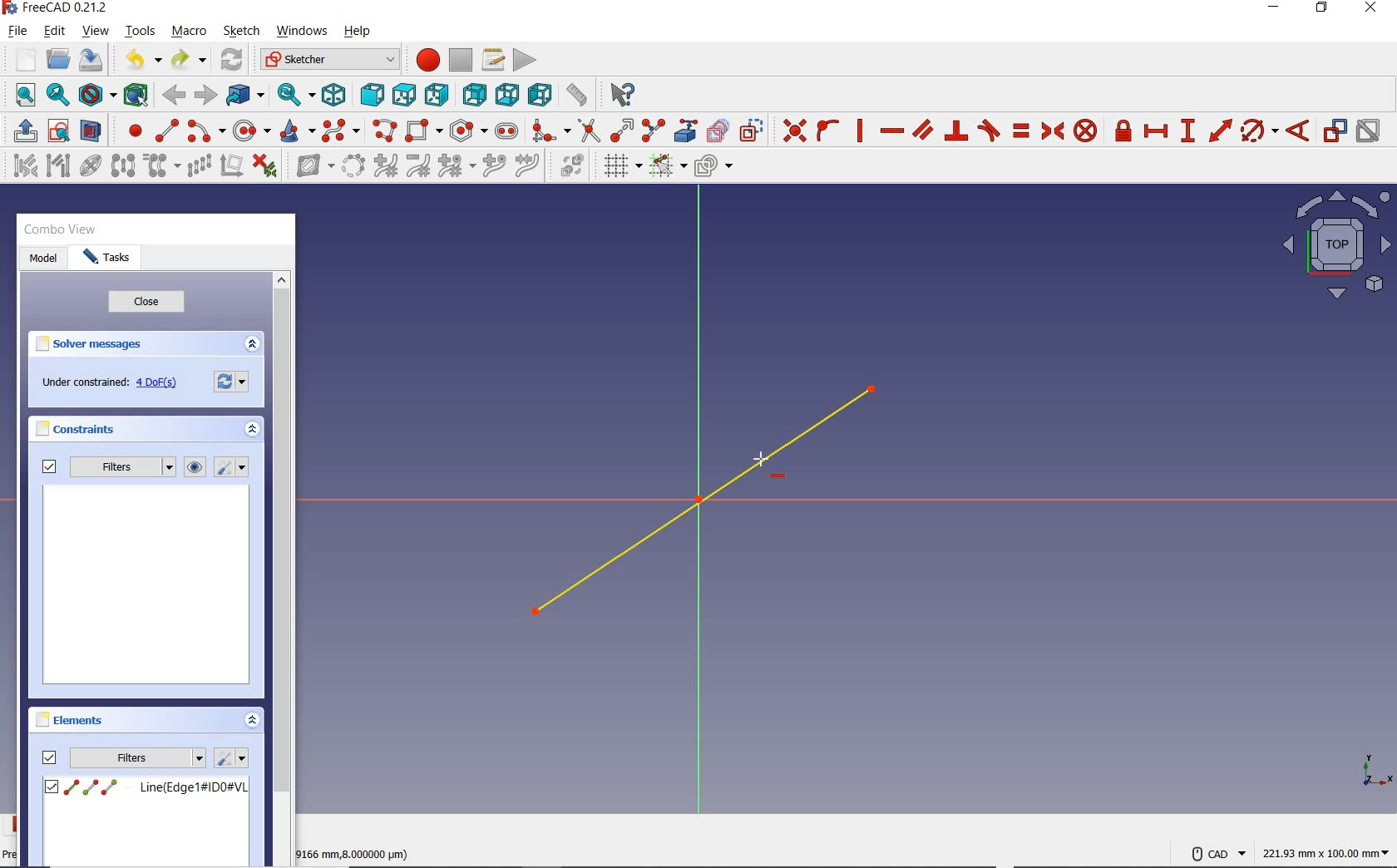 The width and height of the screenshot is (1397, 868). I want to click on SKETCH, so click(241, 31).